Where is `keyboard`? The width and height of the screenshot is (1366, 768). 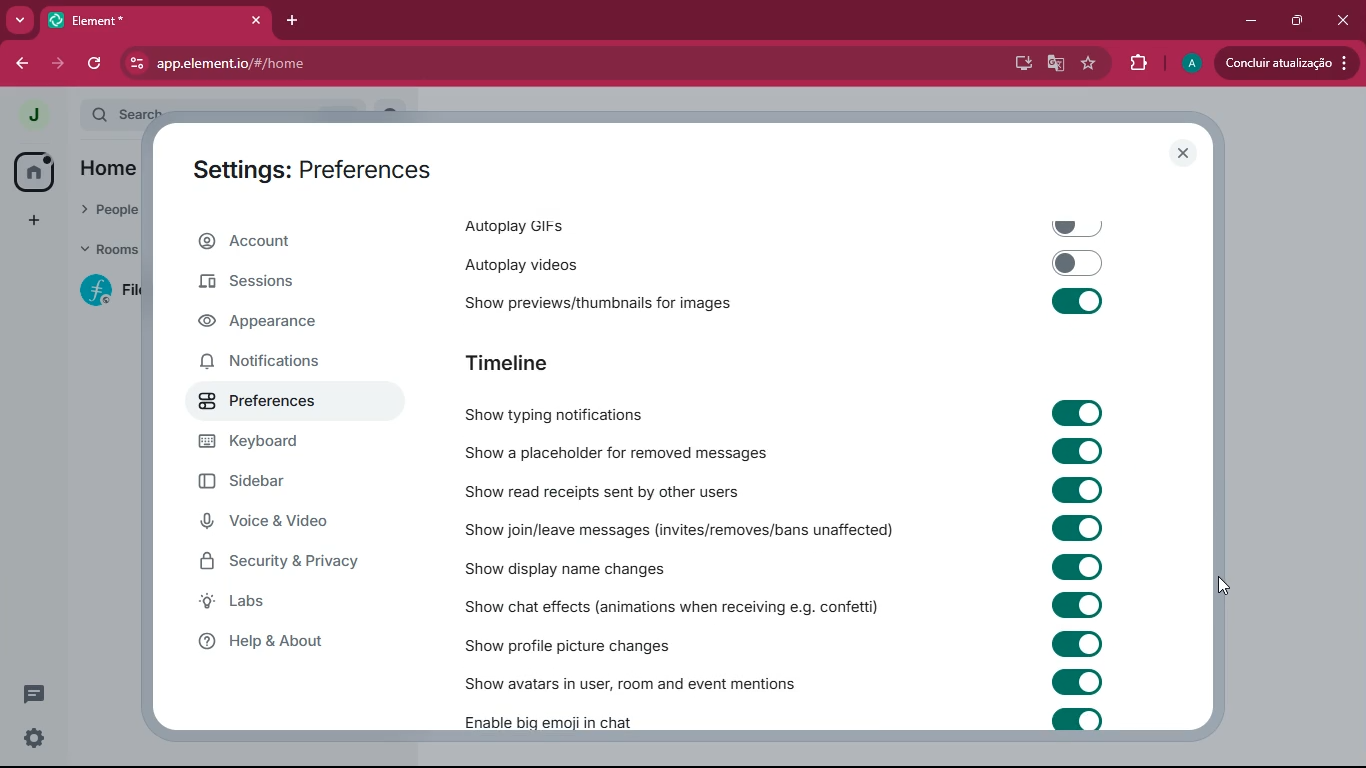
keyboard is located at coordinates (280, 445).